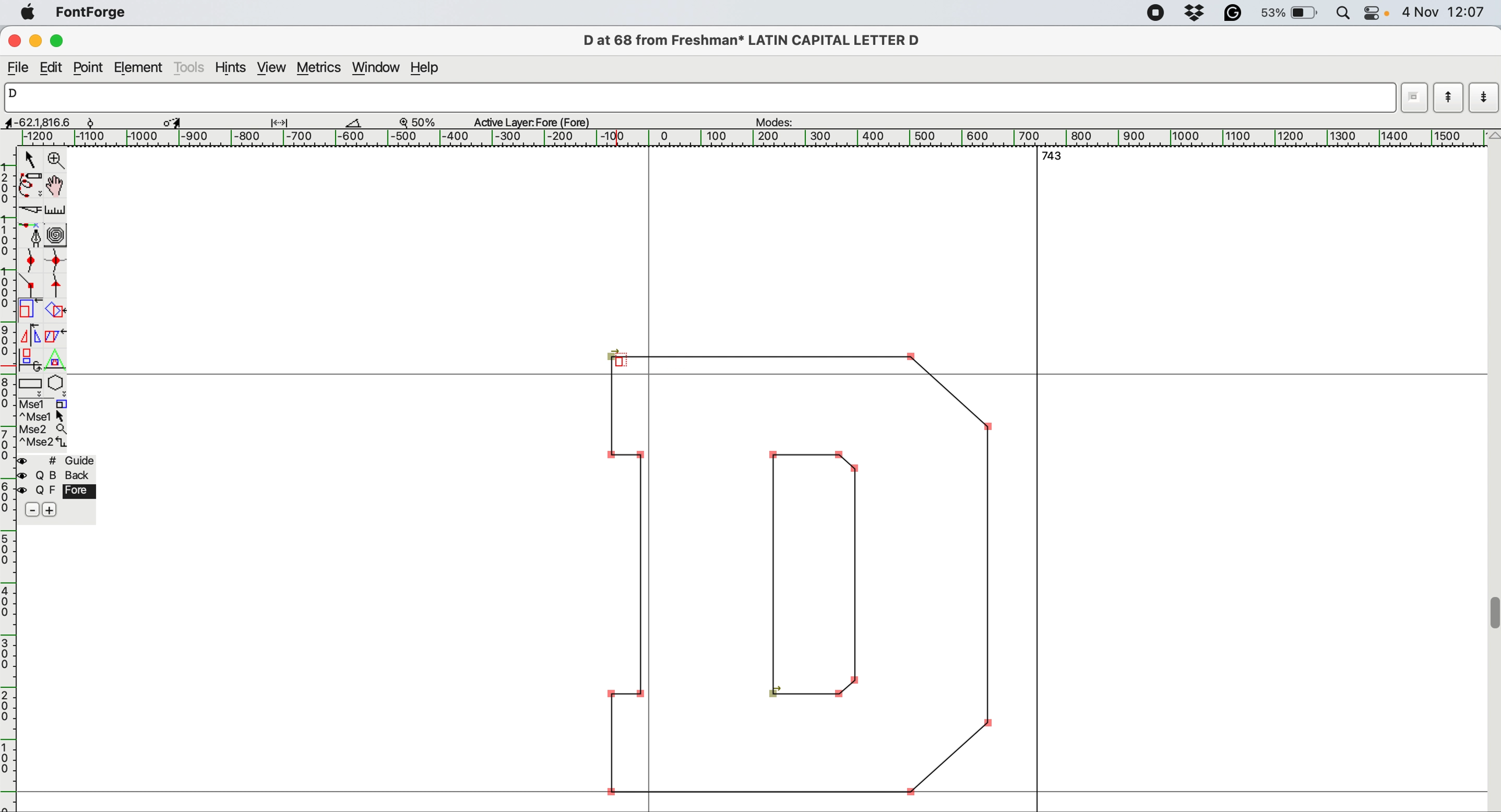 Image resolution: width=1501 pixels, height=812 pixels. I want to click on draw freehand curve, so click(30, 185).